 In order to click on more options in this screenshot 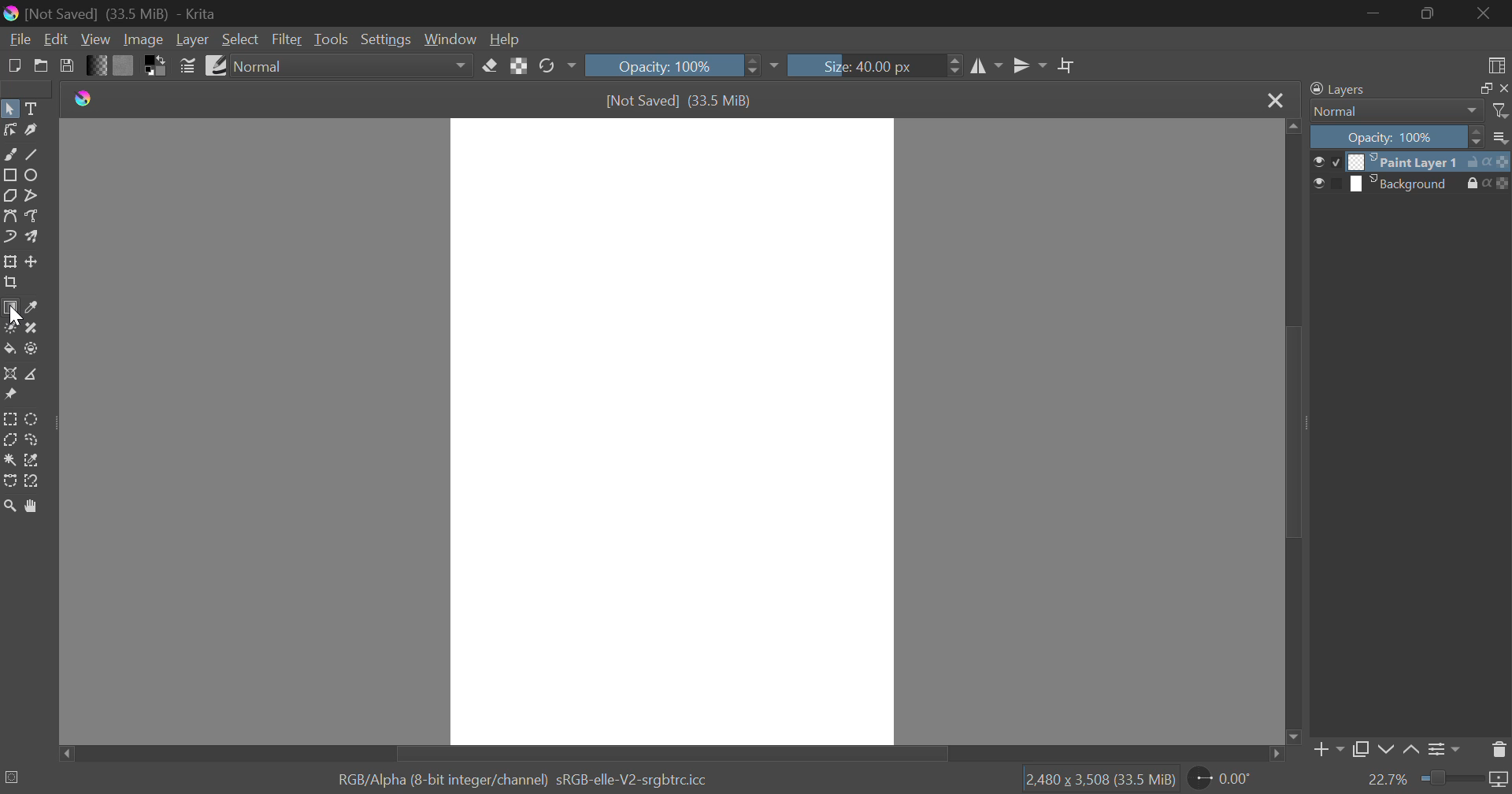, I will do `click(1501, 137)`.